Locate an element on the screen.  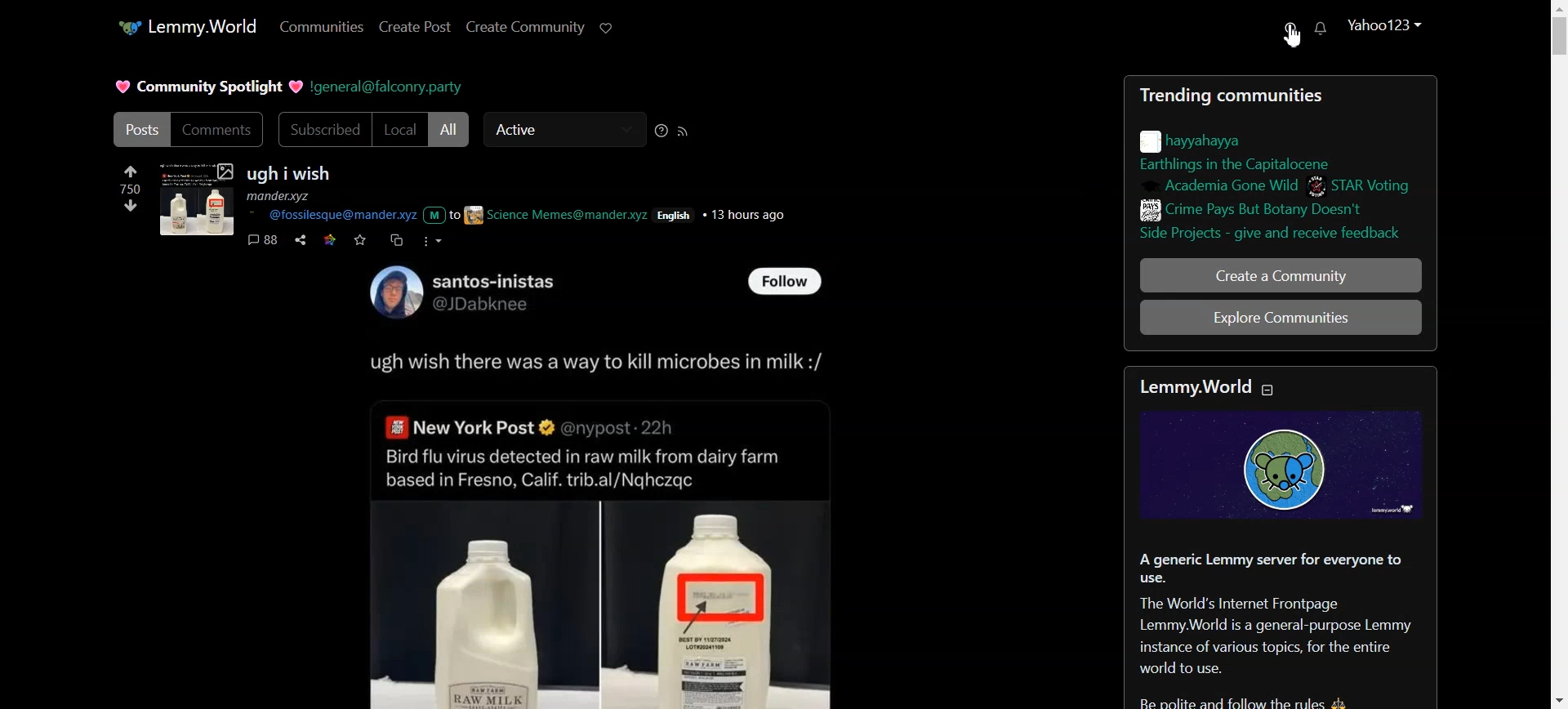
Vertical scroll bar is located at coordinates (1555, 354).